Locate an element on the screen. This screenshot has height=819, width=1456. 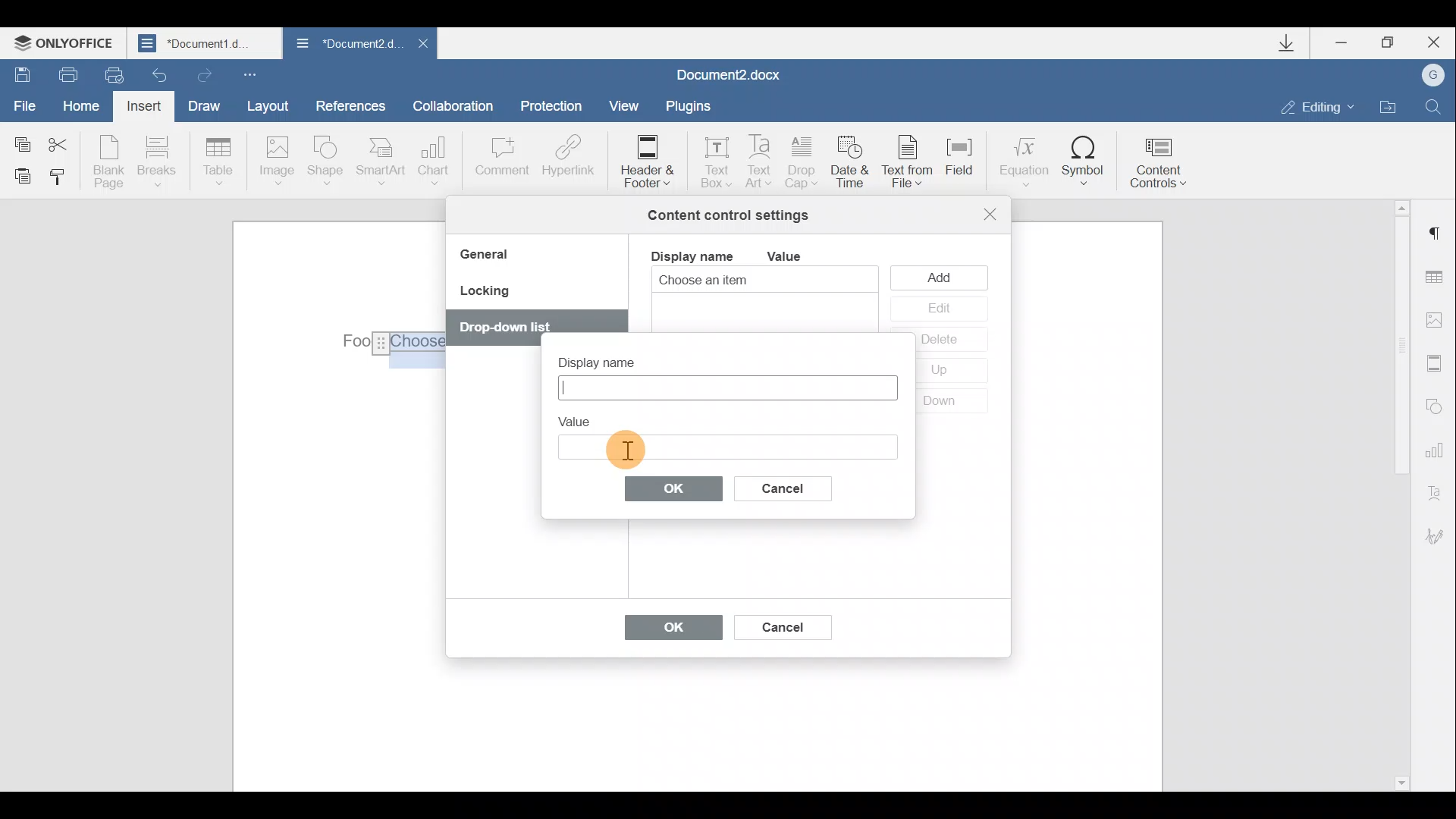
 is located at coordinates (387, 342).